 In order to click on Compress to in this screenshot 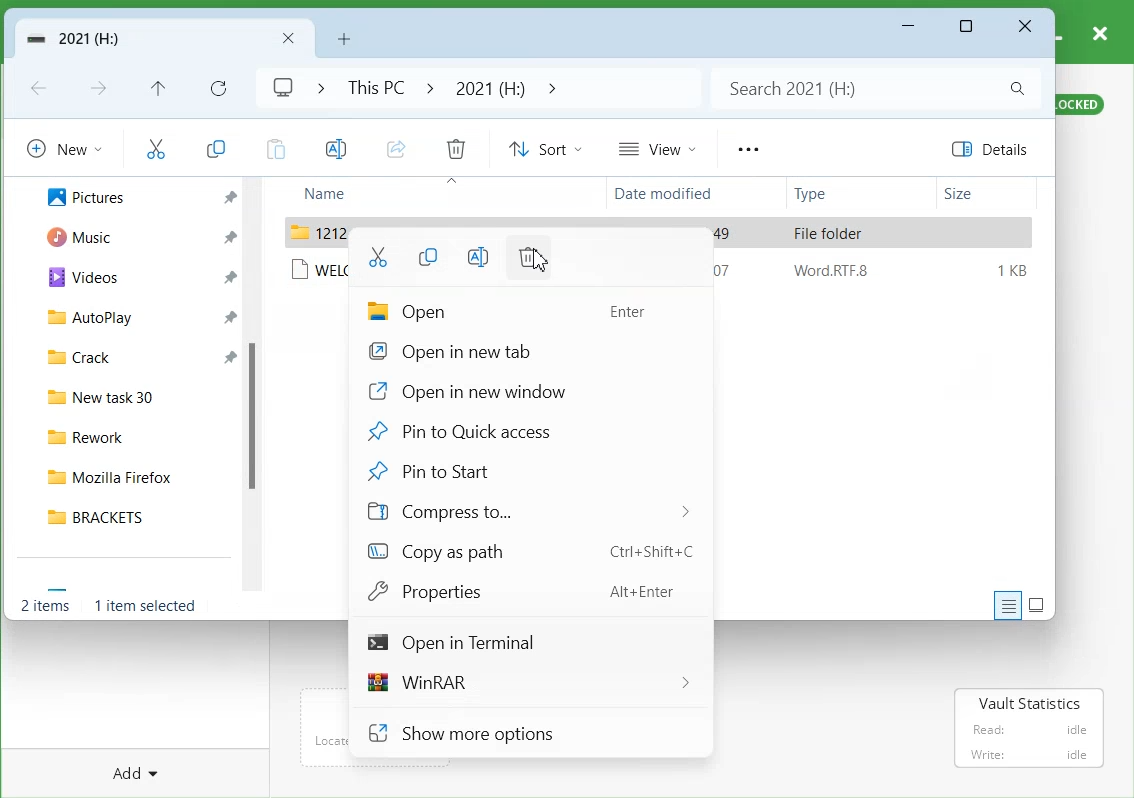, I will do `click(522, 509)`.